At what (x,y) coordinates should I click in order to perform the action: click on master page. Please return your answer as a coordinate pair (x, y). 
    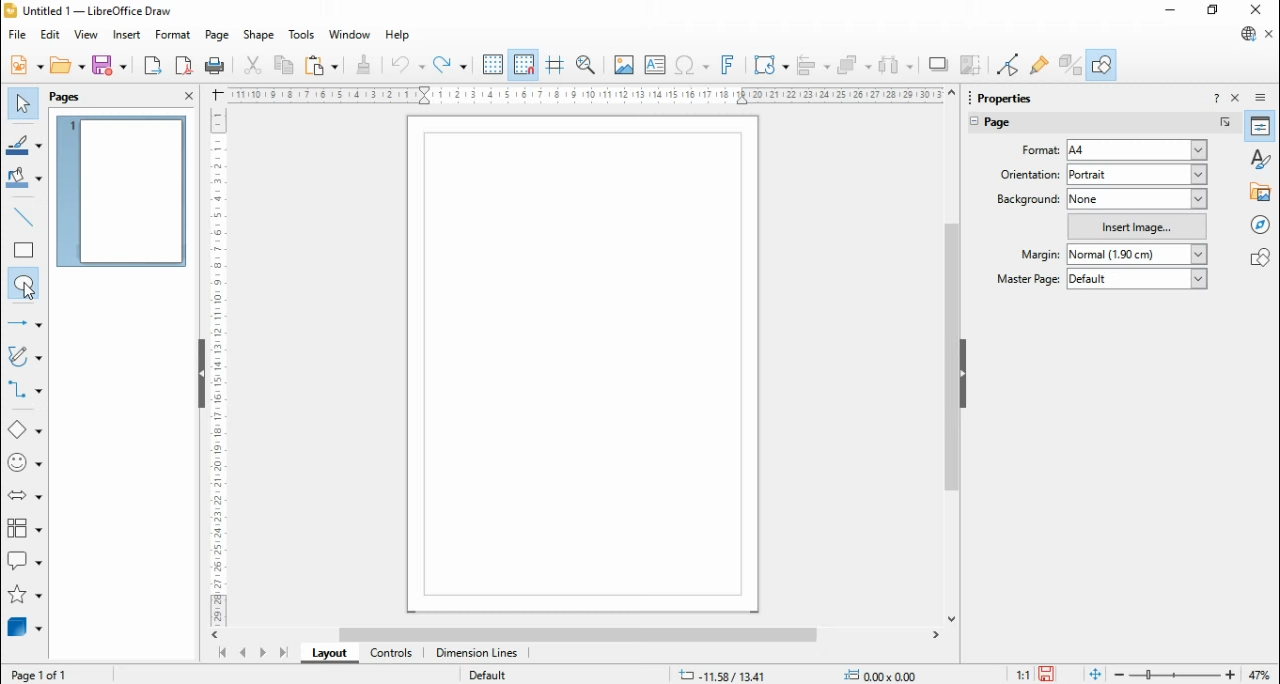
    Looking at the image, I should click on (1030, 278).